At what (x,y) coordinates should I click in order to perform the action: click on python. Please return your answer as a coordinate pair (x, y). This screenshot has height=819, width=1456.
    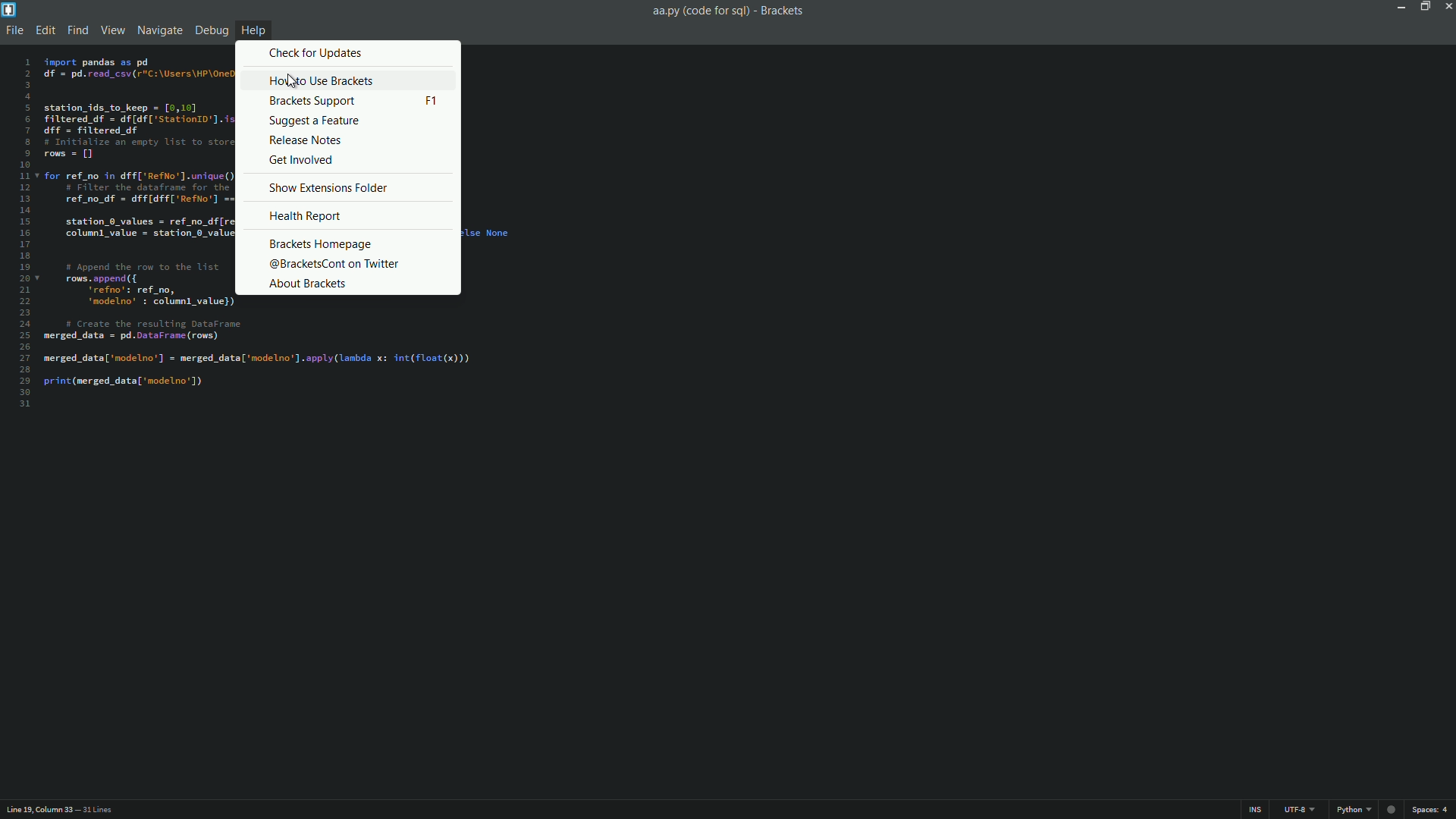
    Looking at the image, I should click on (1351, 810).